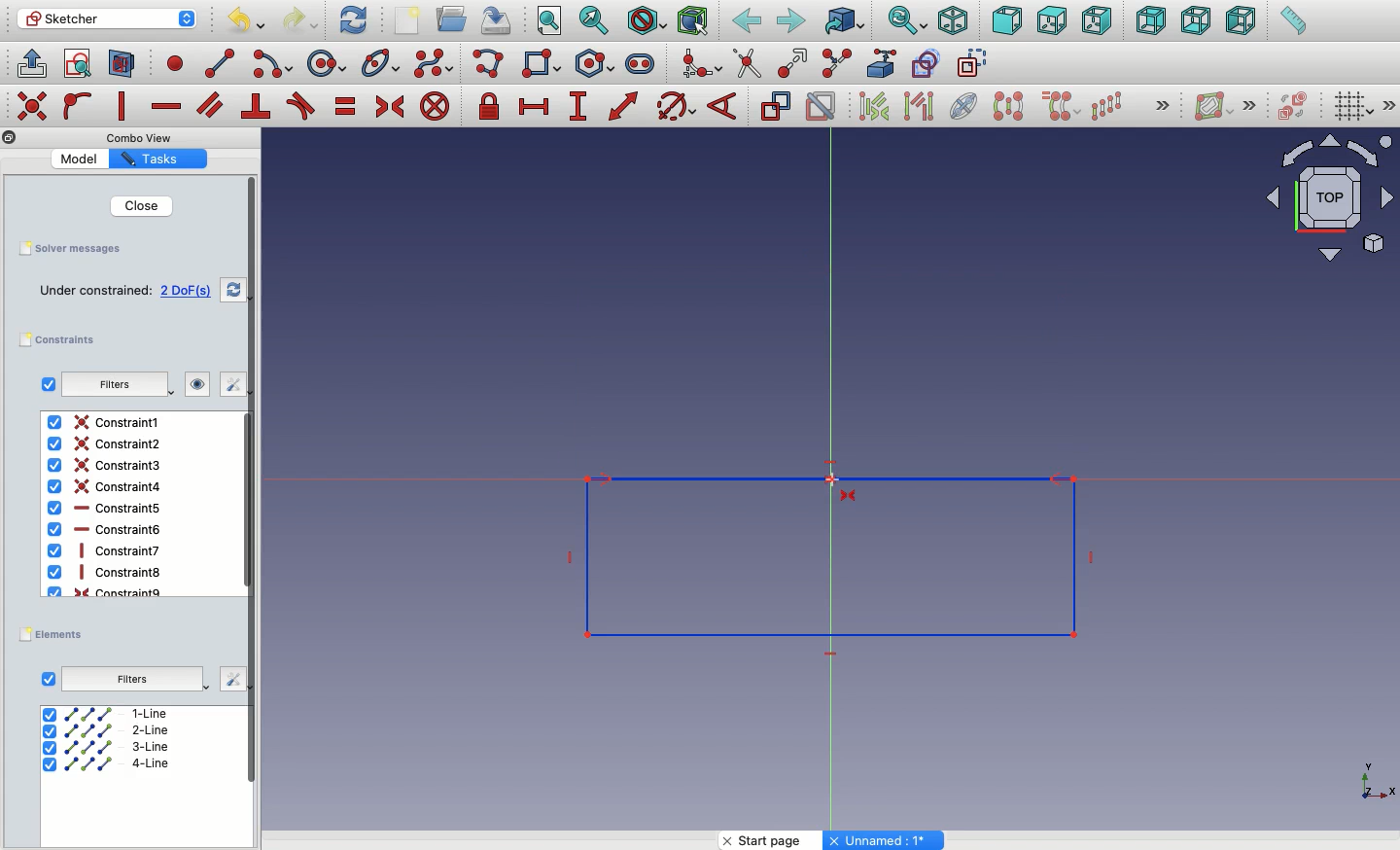 The width and height of the screenshot is (1400, 850). I want to click on edit, so click(231, 679).